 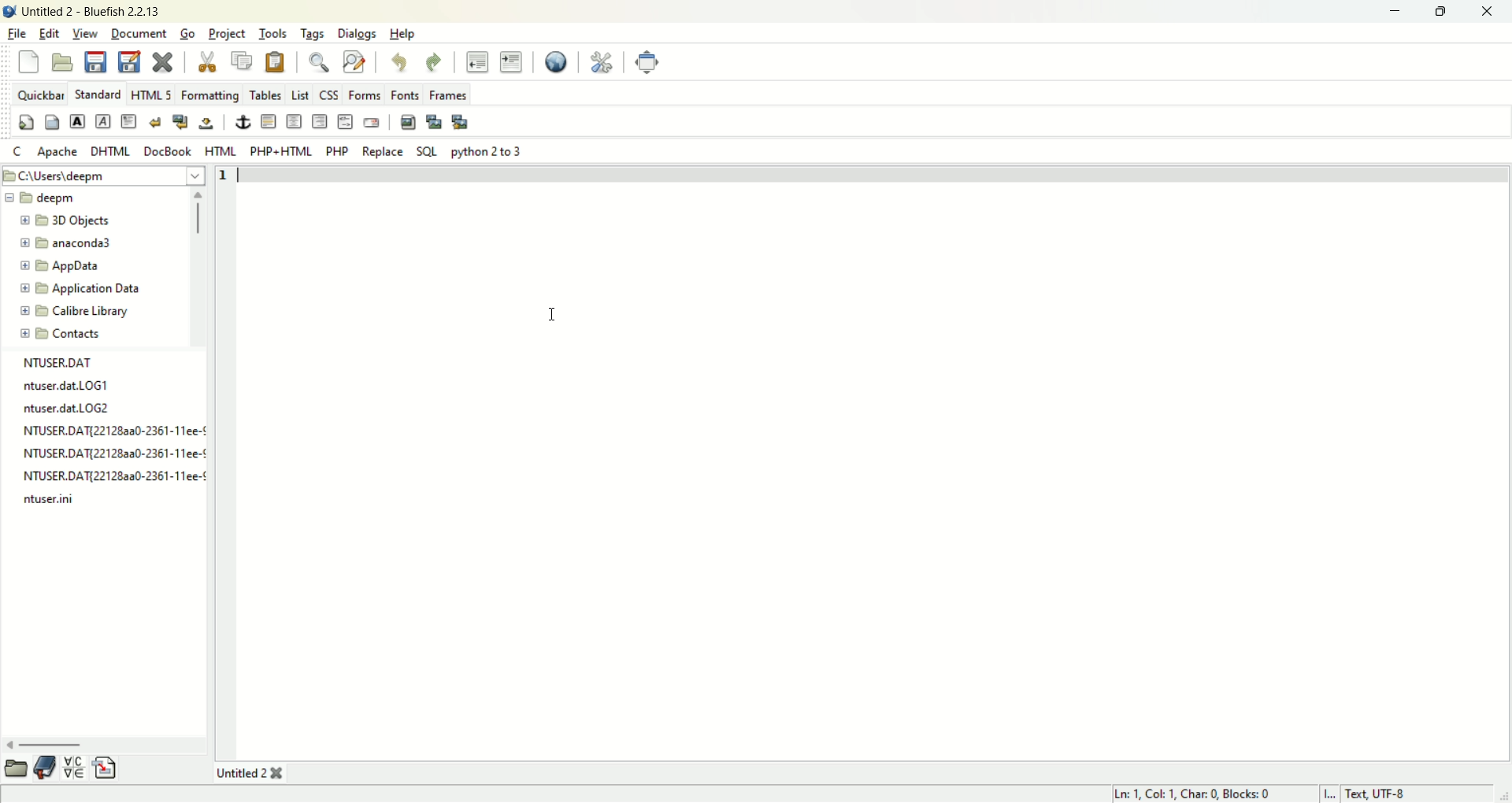 What do you see at coordinates (59, 333) in the screenshot?
I see `contacts` at bounding box center [59, 333].